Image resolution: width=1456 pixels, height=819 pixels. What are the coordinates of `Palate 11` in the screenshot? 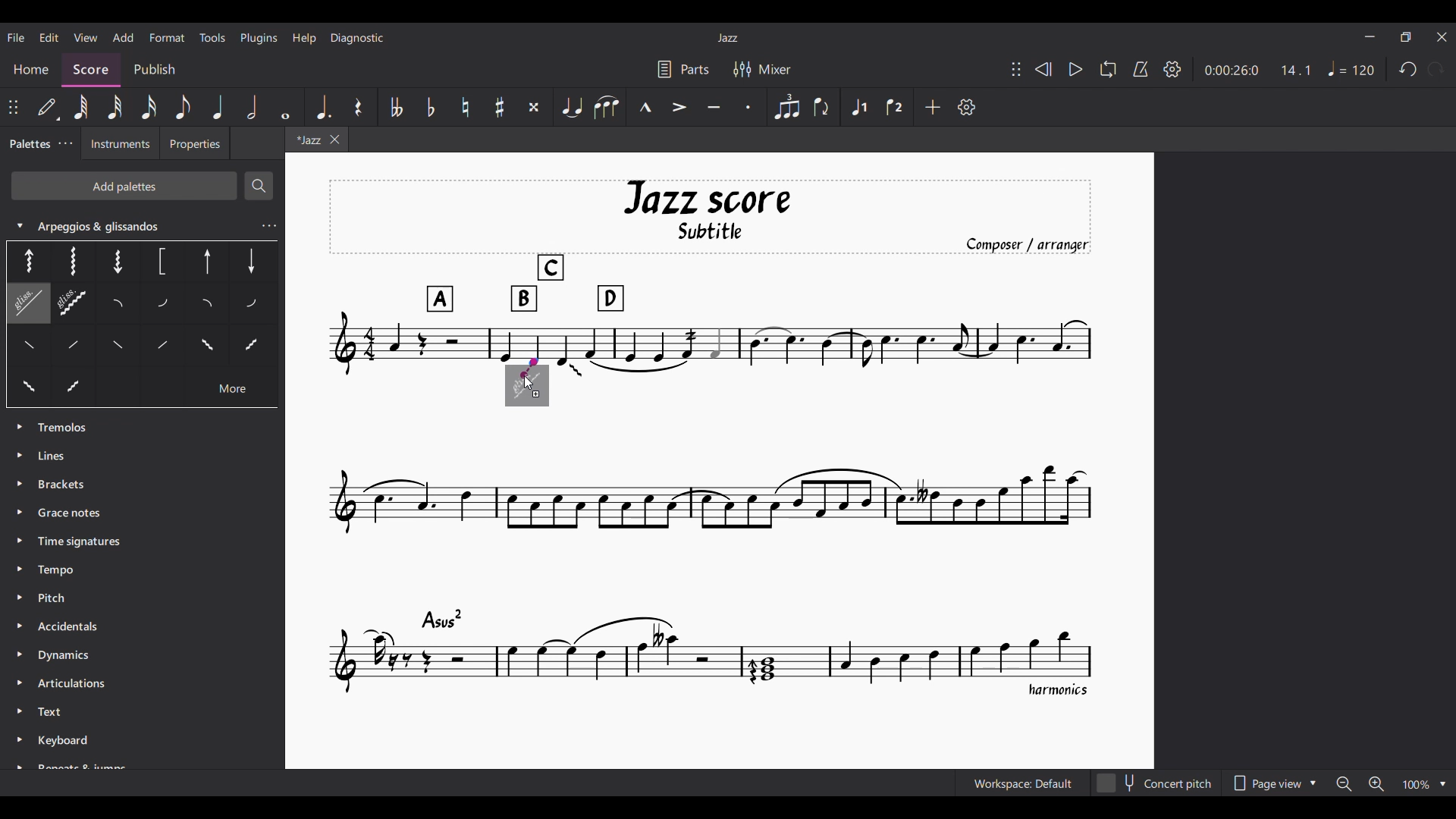 It's located at (209, 306).